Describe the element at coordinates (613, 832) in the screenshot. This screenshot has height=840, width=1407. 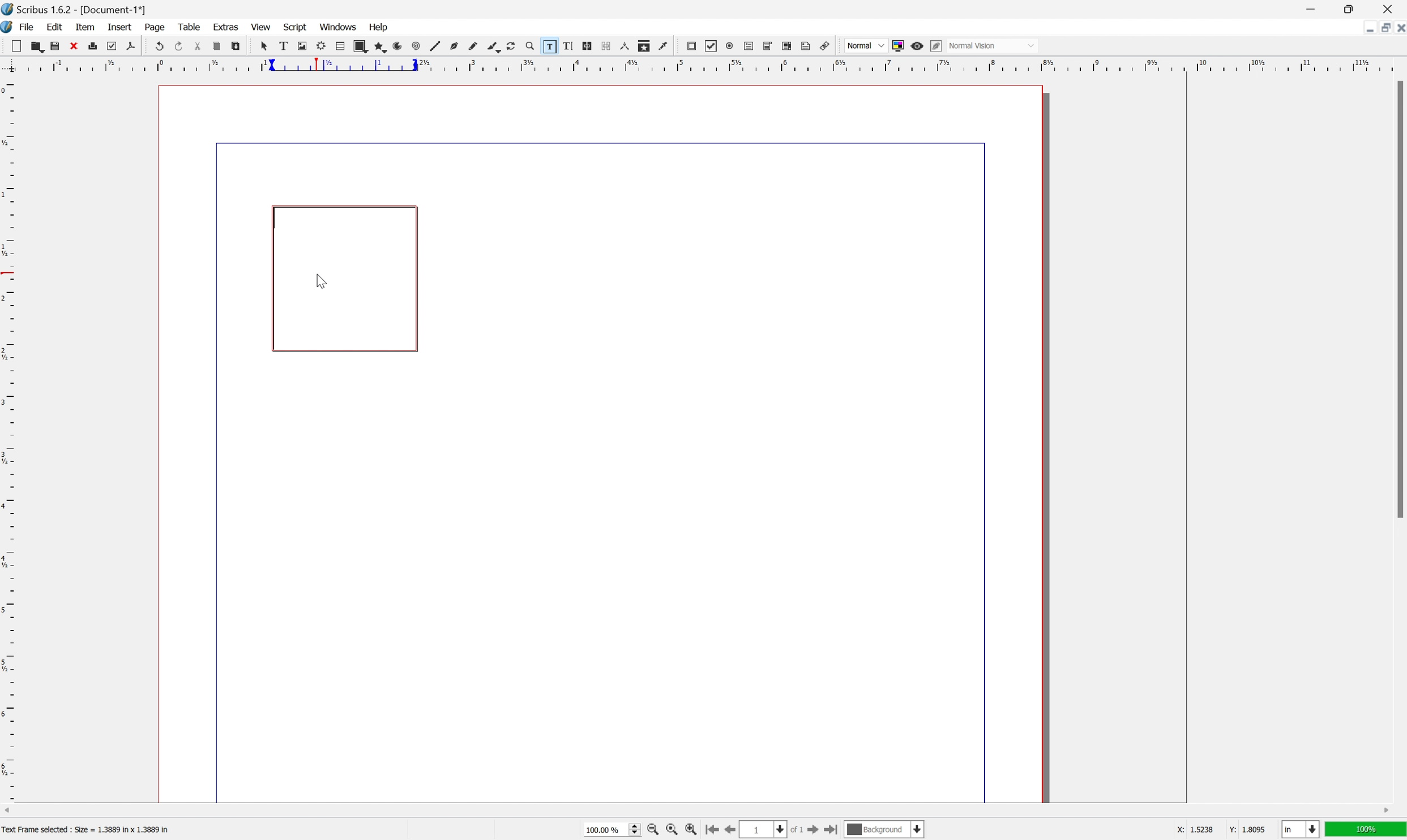
I see `select current zoom level` at that location.